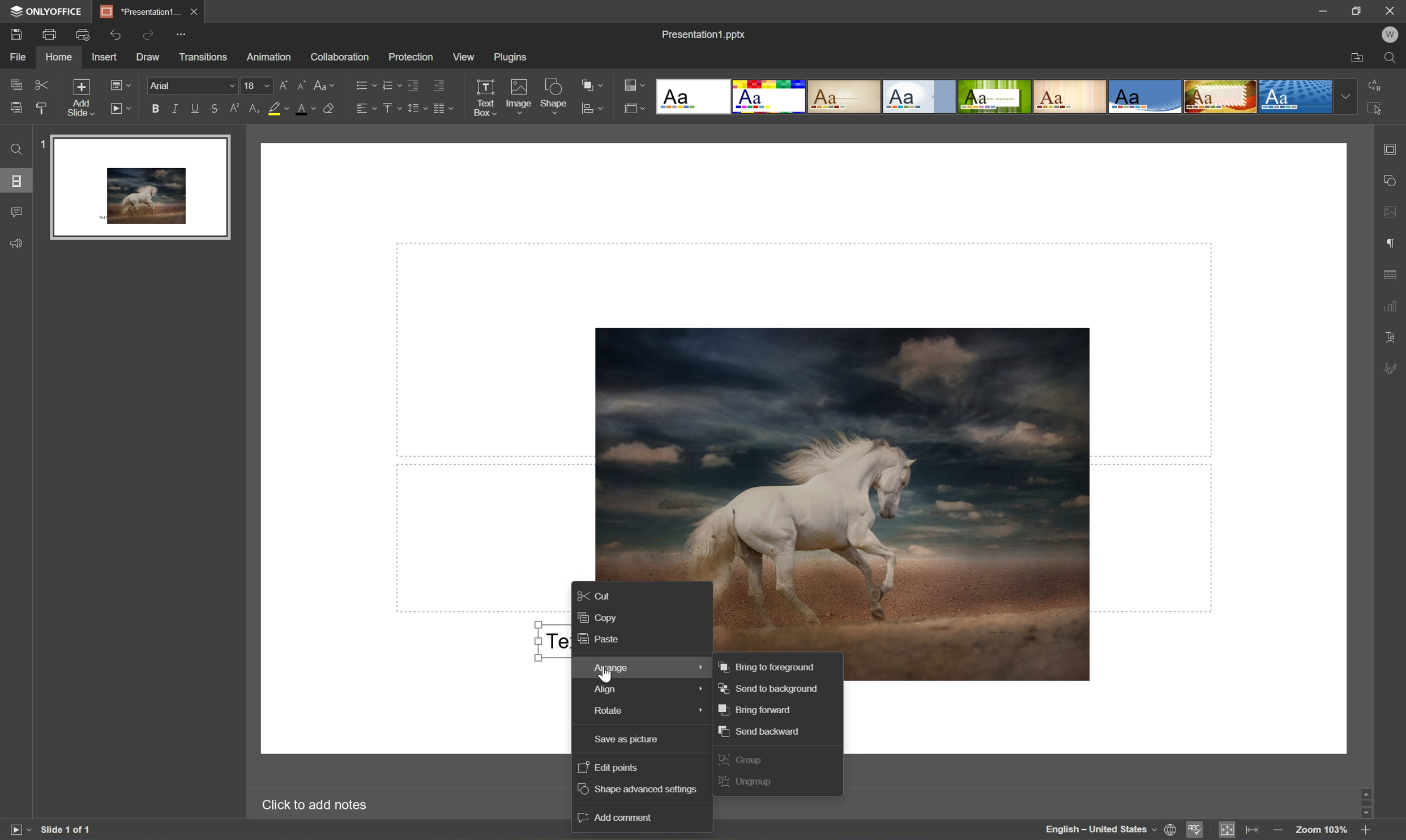  What do you see at coordinates (364, 85) in the screenshot?
I see `Bullets` at bounding box center [364, 85].